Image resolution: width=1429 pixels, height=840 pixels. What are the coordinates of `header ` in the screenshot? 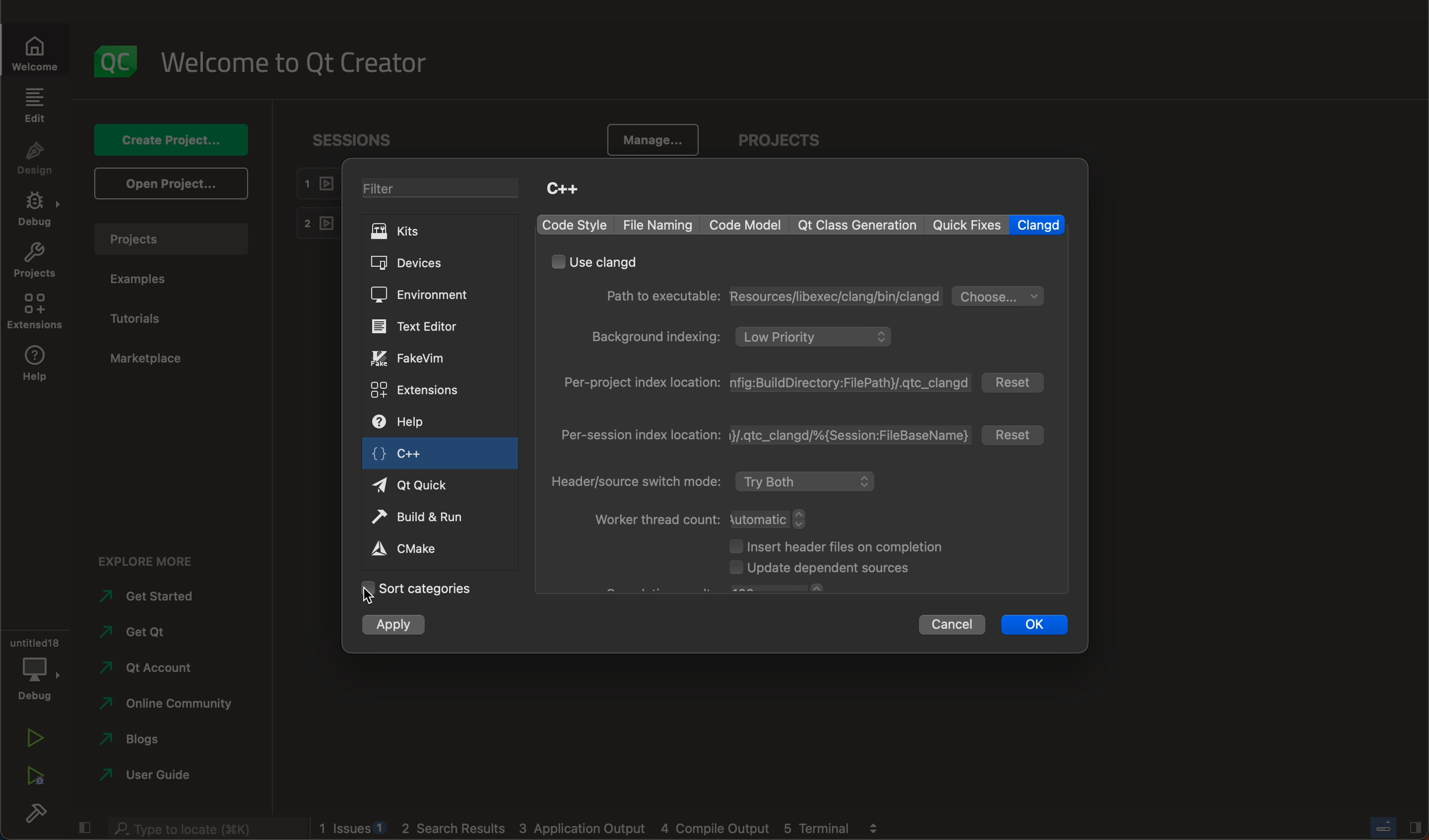 It's located at (714, 481).